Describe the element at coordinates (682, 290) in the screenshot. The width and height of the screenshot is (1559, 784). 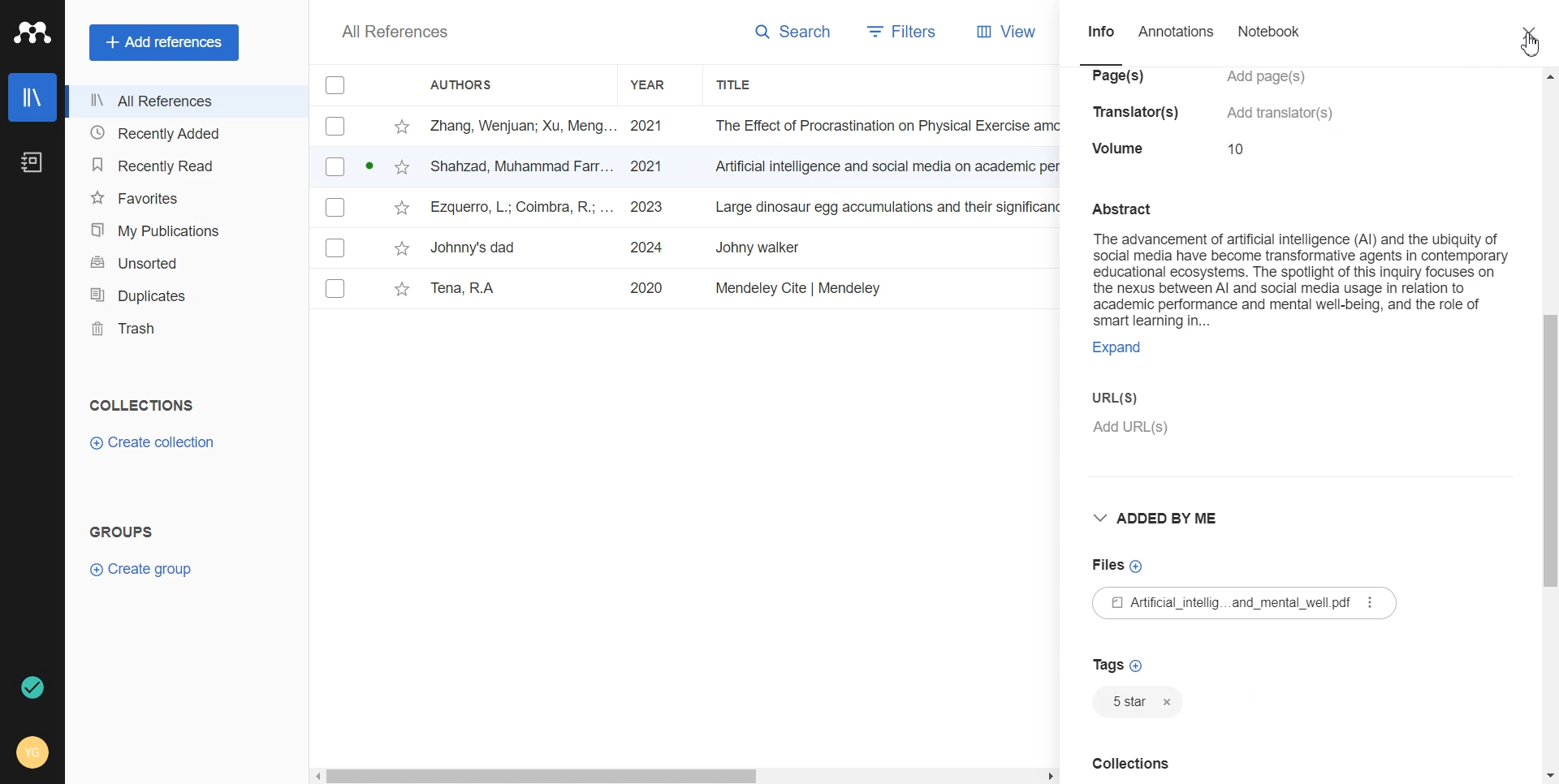
I see `File` at that location.